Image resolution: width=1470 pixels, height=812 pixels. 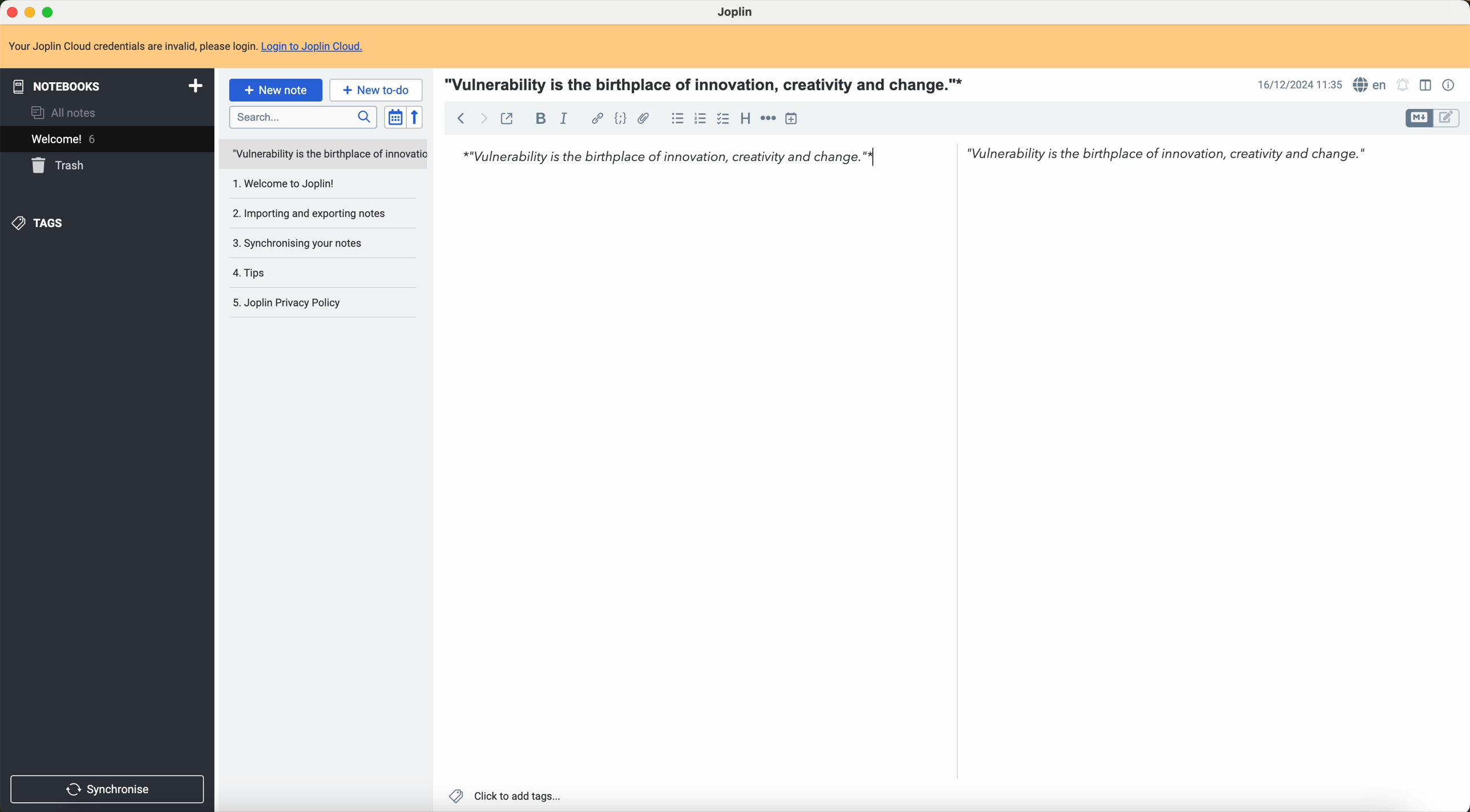 What do you see at coordinates (708, 83) in the screenshot?
I see `"Vulnerability is the birthplace of innovation, creativity and change."*` at bounding box center [708, 83].